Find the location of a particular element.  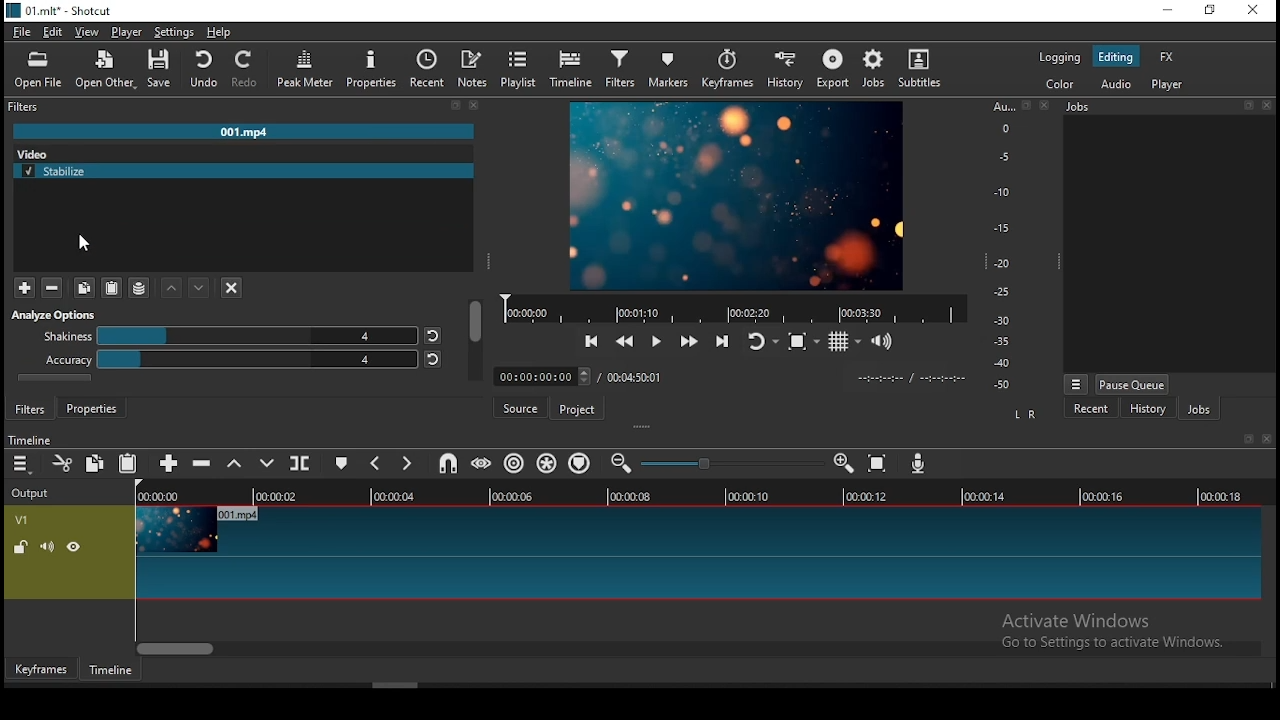

close menu is located at coordinates (472, 105).